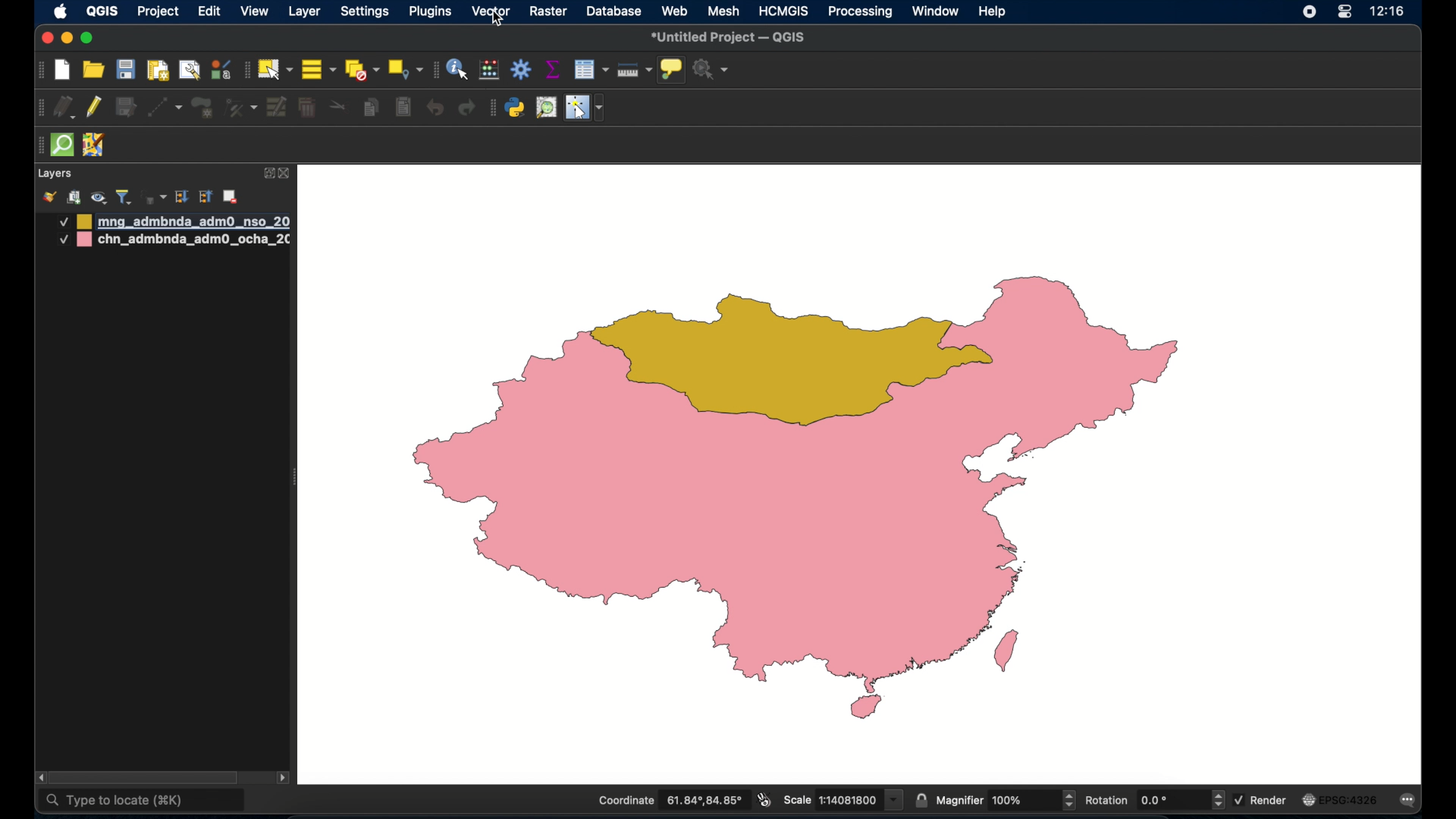  I want to click on save edits, so click(125, 108).